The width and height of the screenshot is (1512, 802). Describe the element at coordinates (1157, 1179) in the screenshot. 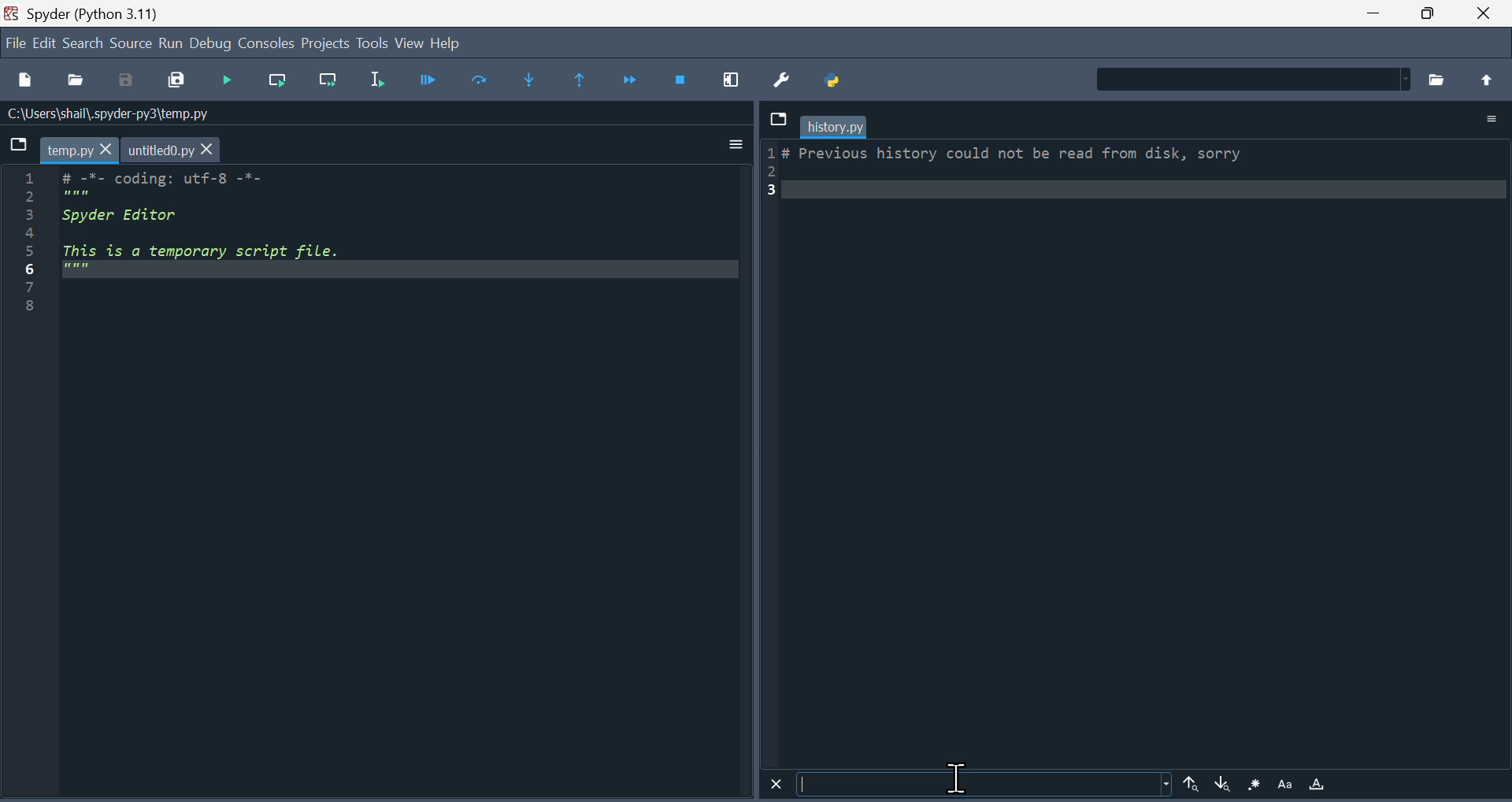

I see `Close` at that location.